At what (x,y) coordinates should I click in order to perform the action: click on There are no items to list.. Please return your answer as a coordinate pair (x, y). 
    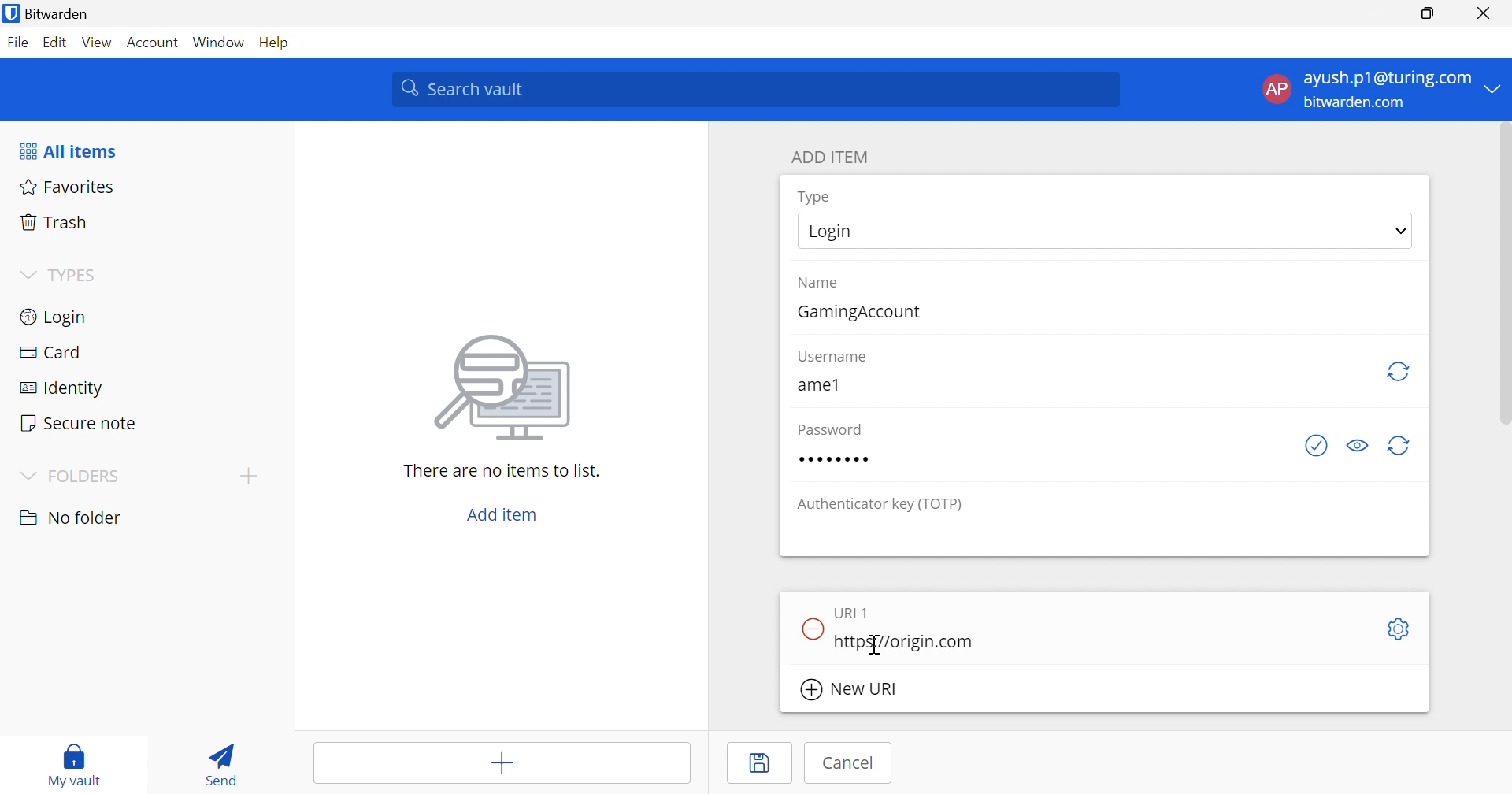
    Looking at the image, I should click on (502, 473).